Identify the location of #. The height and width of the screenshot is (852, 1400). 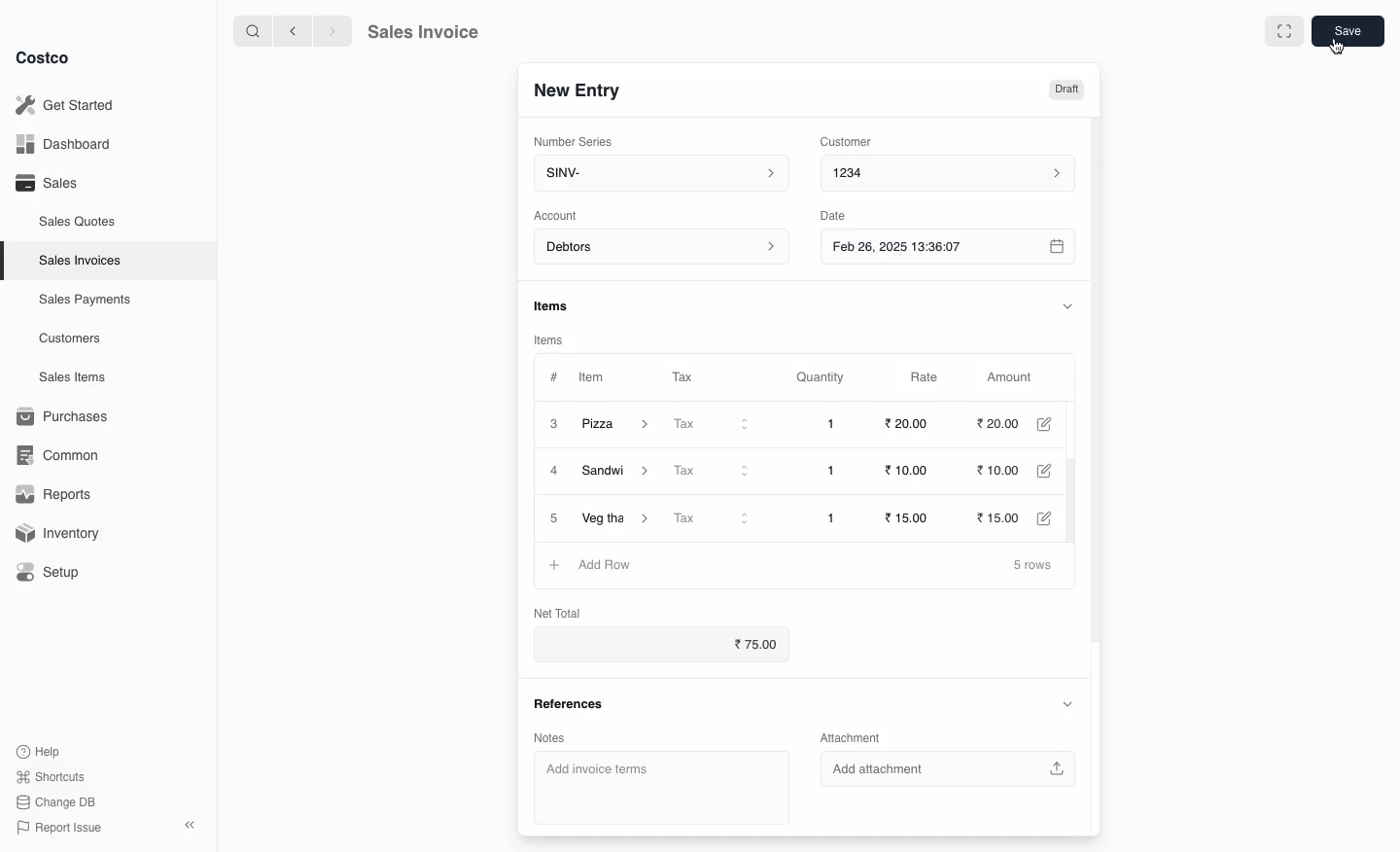
(554, 375).